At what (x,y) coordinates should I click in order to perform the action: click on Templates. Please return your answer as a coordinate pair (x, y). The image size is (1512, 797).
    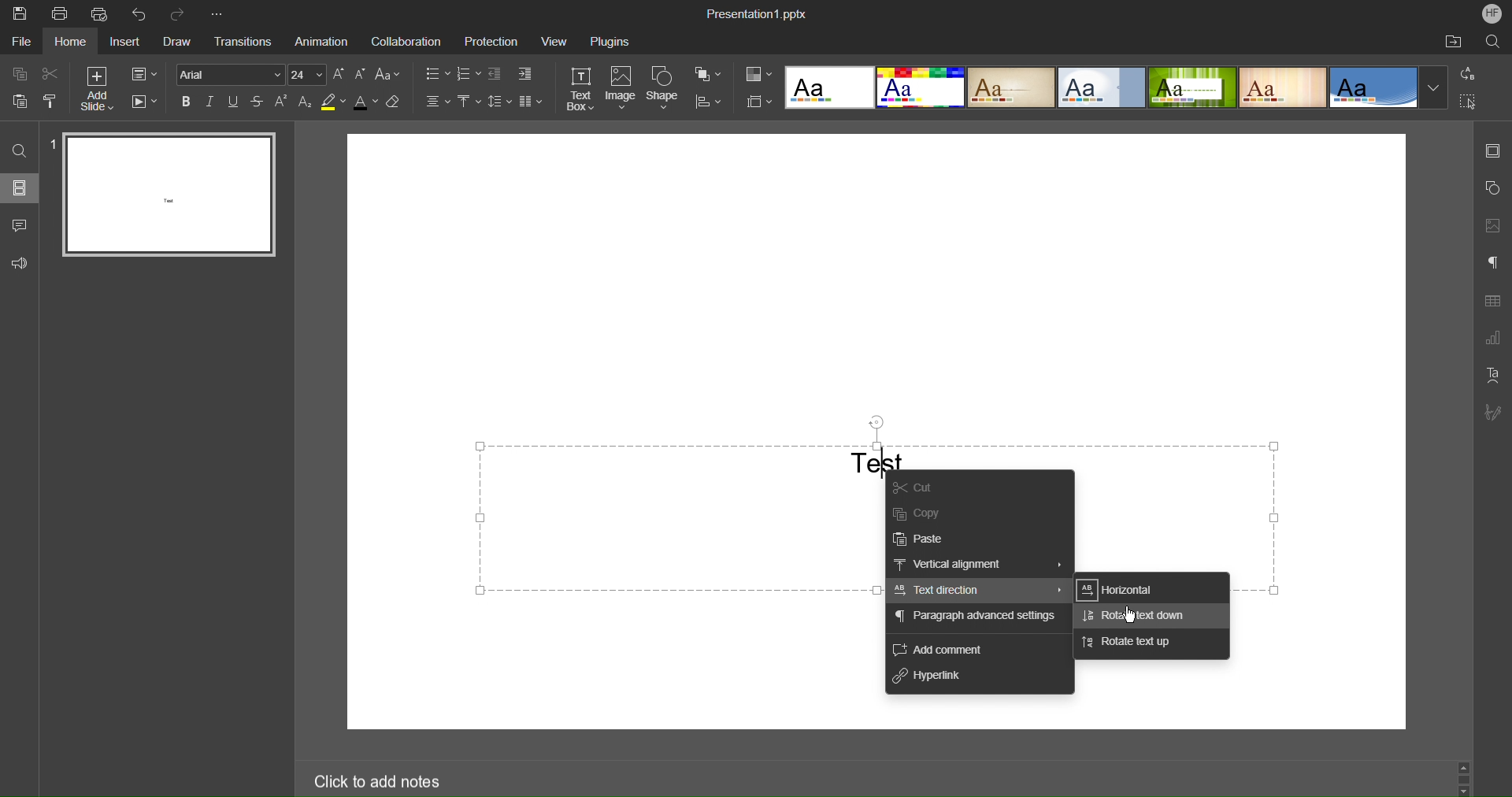
    Looking at the image, I should click on (1114, 87).